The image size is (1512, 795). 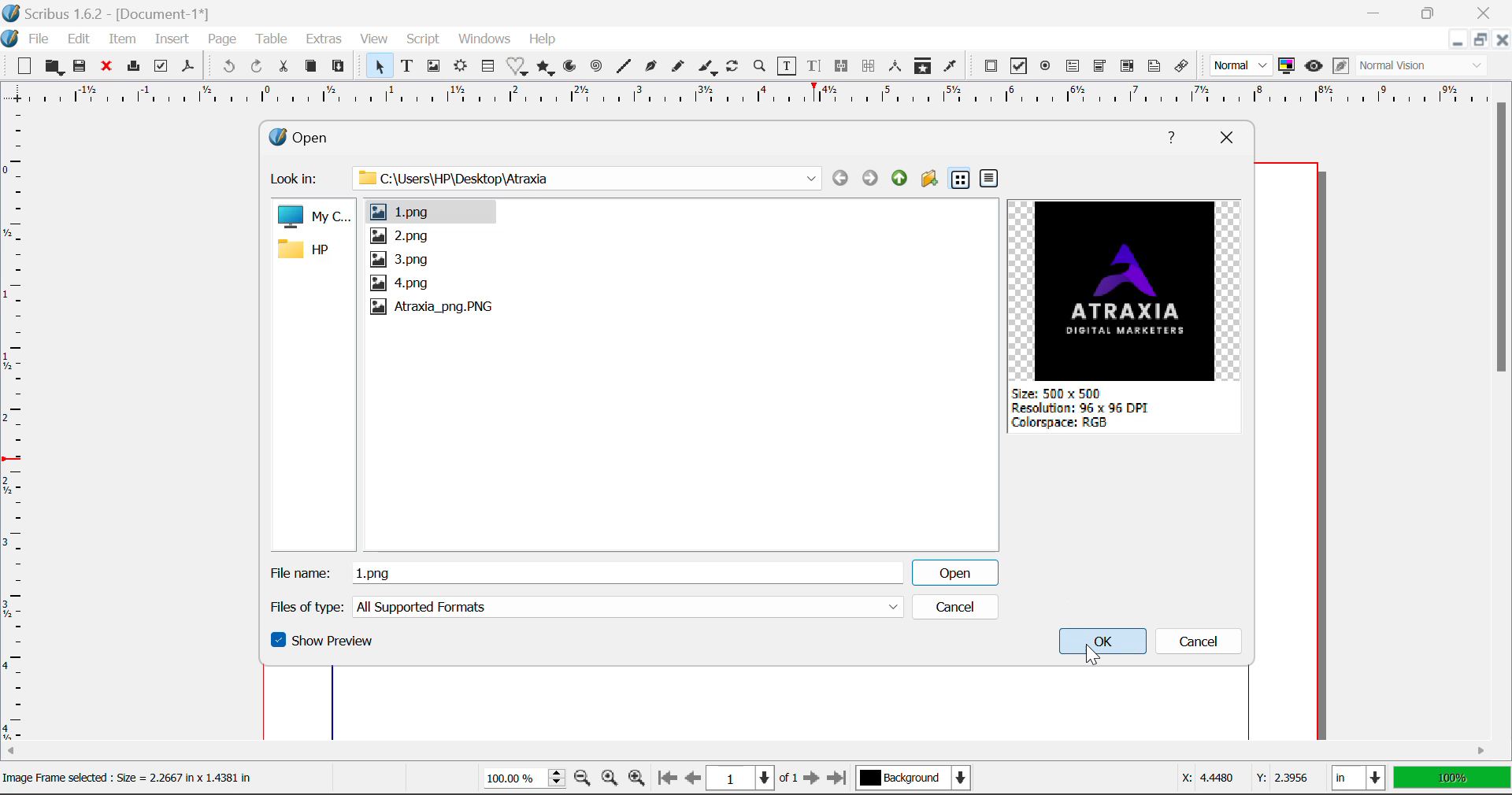 What do you see at coordinates (1284, 777) in the screenshot?
I see `Y: 2.3956` at bounding box center [1284, 777].